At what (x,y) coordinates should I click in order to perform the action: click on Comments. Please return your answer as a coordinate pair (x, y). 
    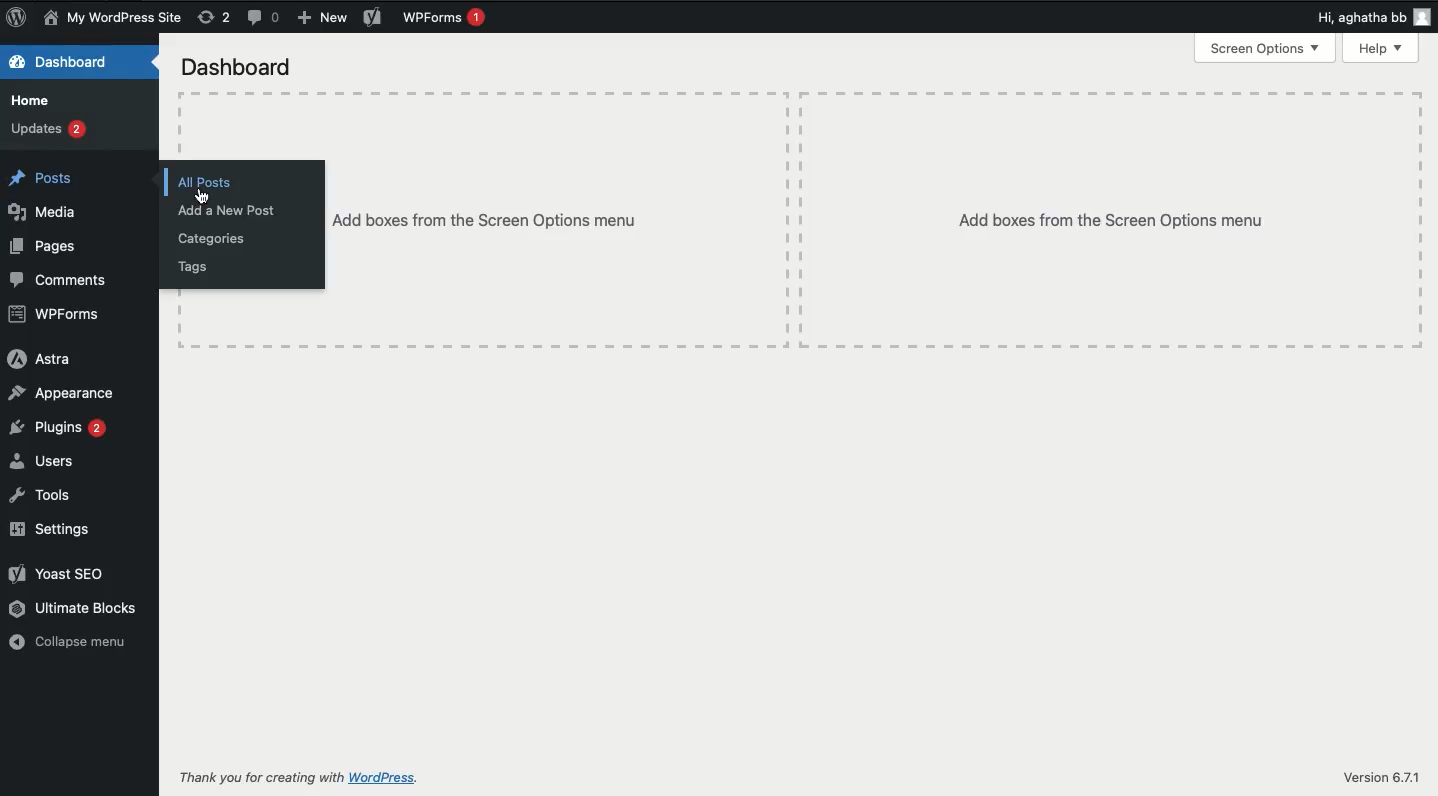
    Looking at the image, I should click on (63, 282).